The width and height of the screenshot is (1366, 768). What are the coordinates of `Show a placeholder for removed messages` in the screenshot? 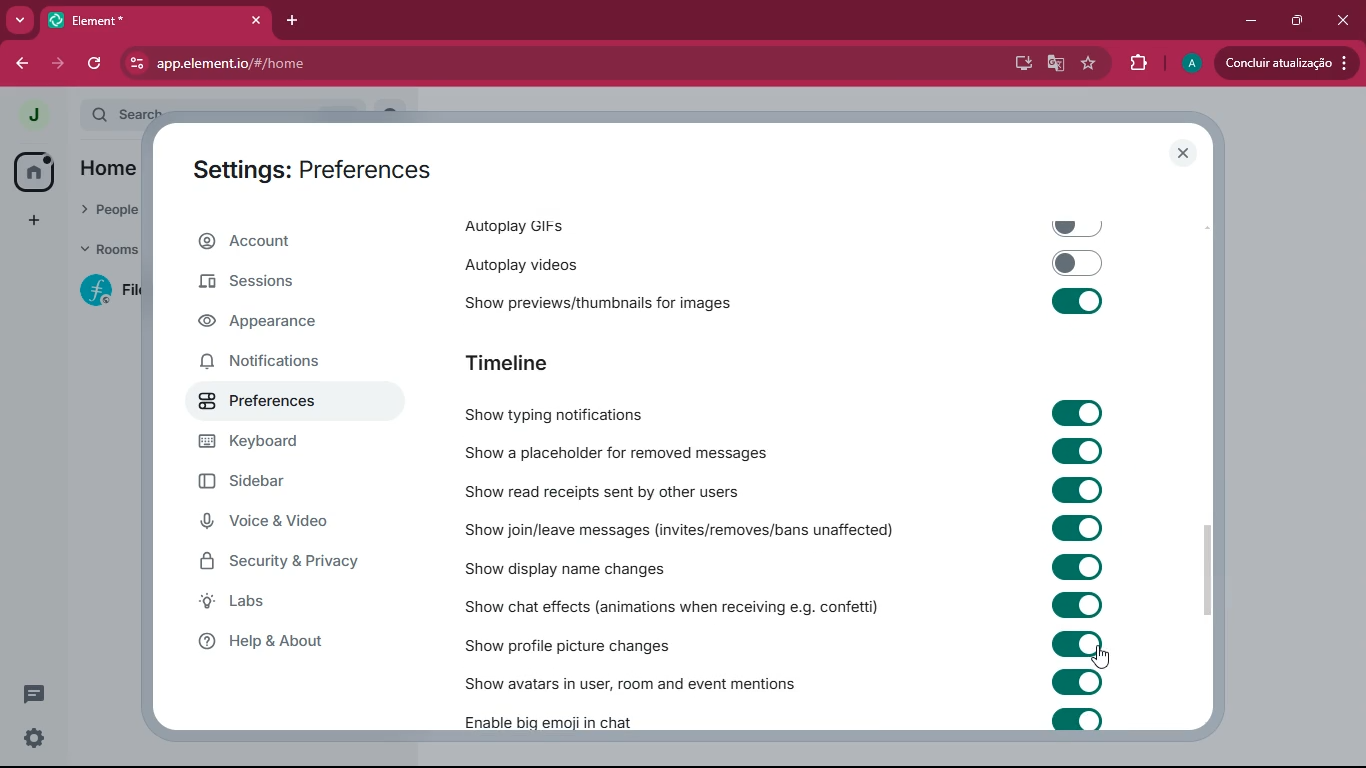 It's located at (789, 452).